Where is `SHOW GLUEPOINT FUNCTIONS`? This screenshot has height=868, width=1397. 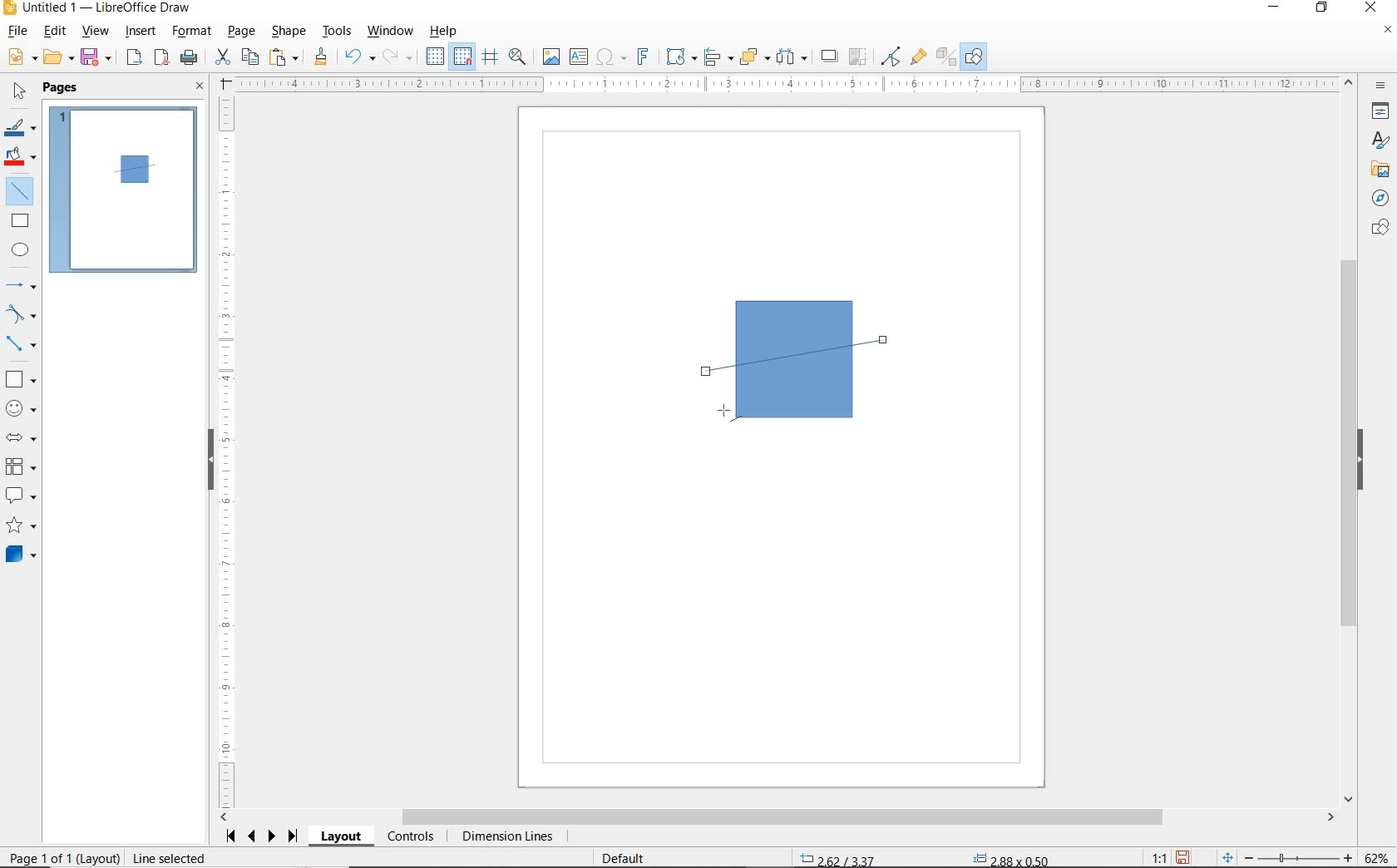 SHOW GLUEPOINT FUNCTIONS is located at coordinates (917, 56).